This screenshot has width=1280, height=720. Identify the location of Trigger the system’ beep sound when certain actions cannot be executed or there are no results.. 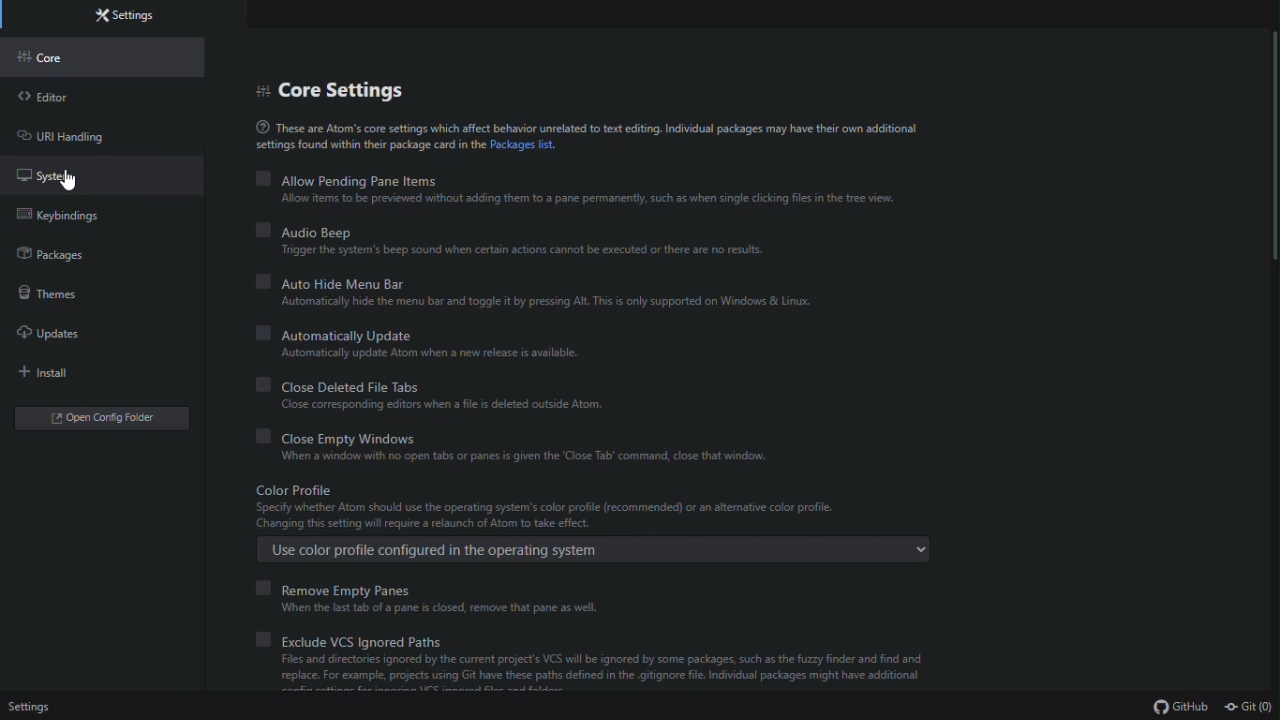
(536, 251).